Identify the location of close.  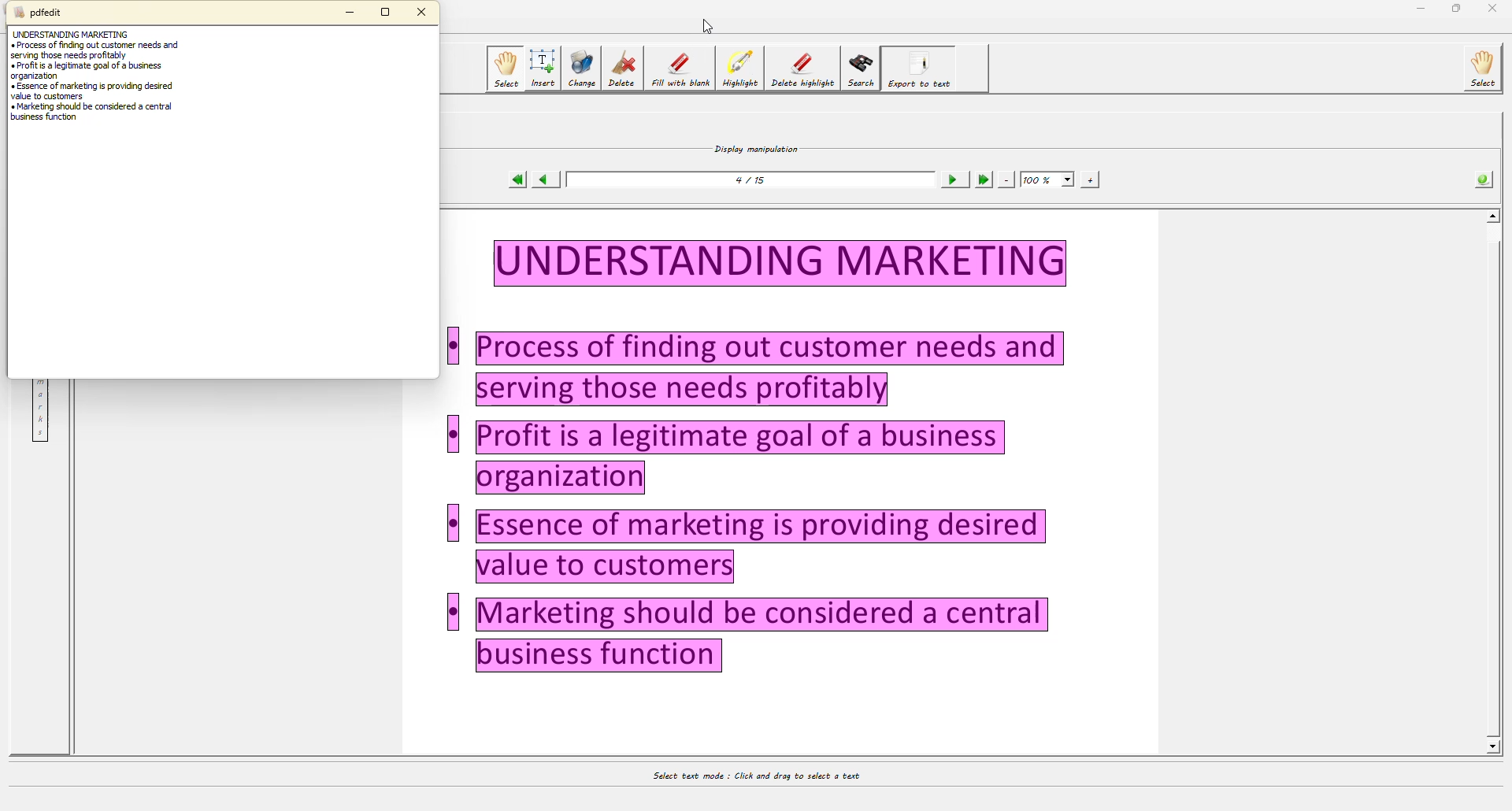
(426, 12).